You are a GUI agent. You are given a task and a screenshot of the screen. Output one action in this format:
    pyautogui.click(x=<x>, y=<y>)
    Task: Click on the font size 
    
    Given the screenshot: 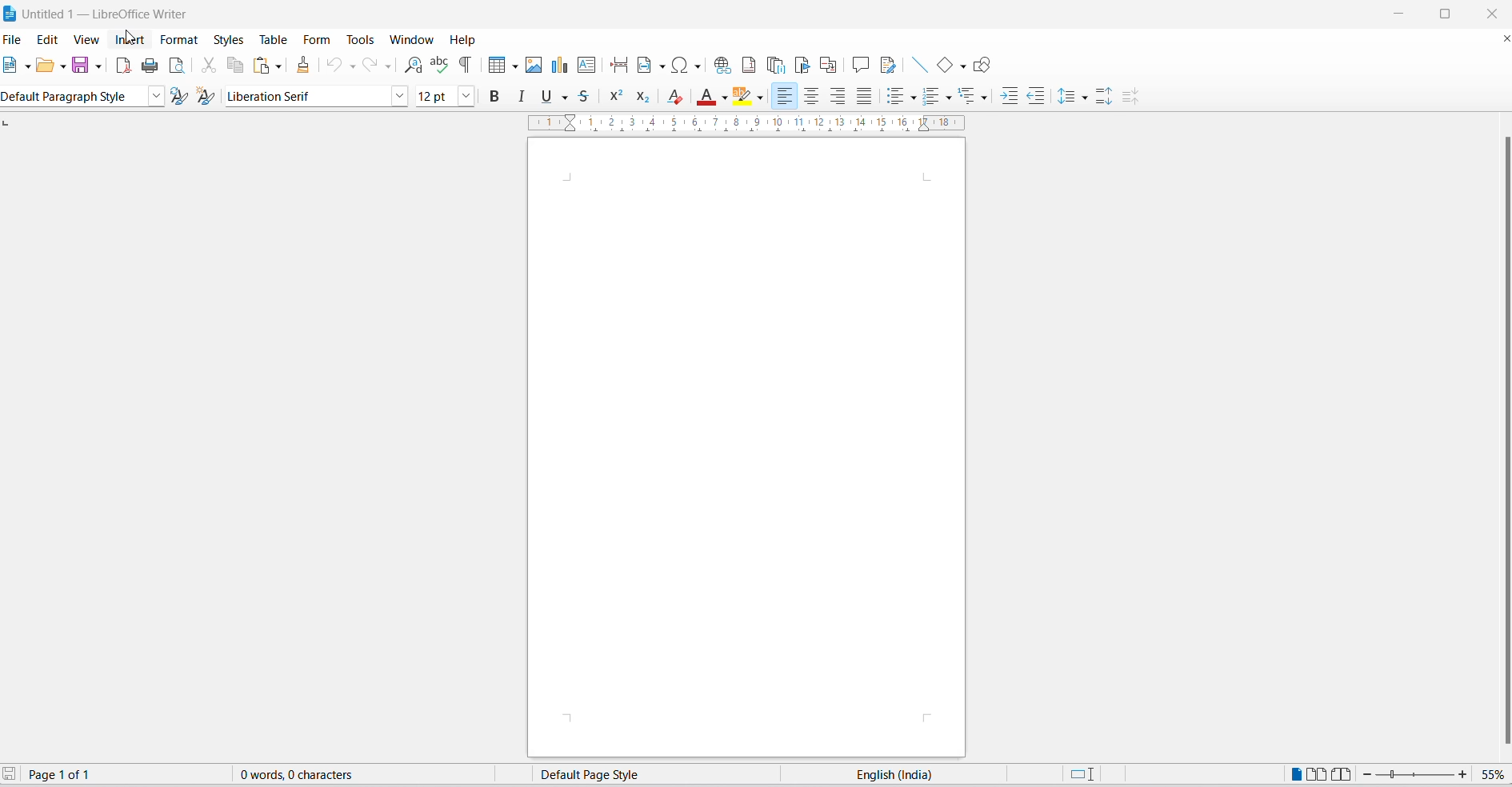 What is the action you would take?
    pyautogui.click(x=434, y=95)
    